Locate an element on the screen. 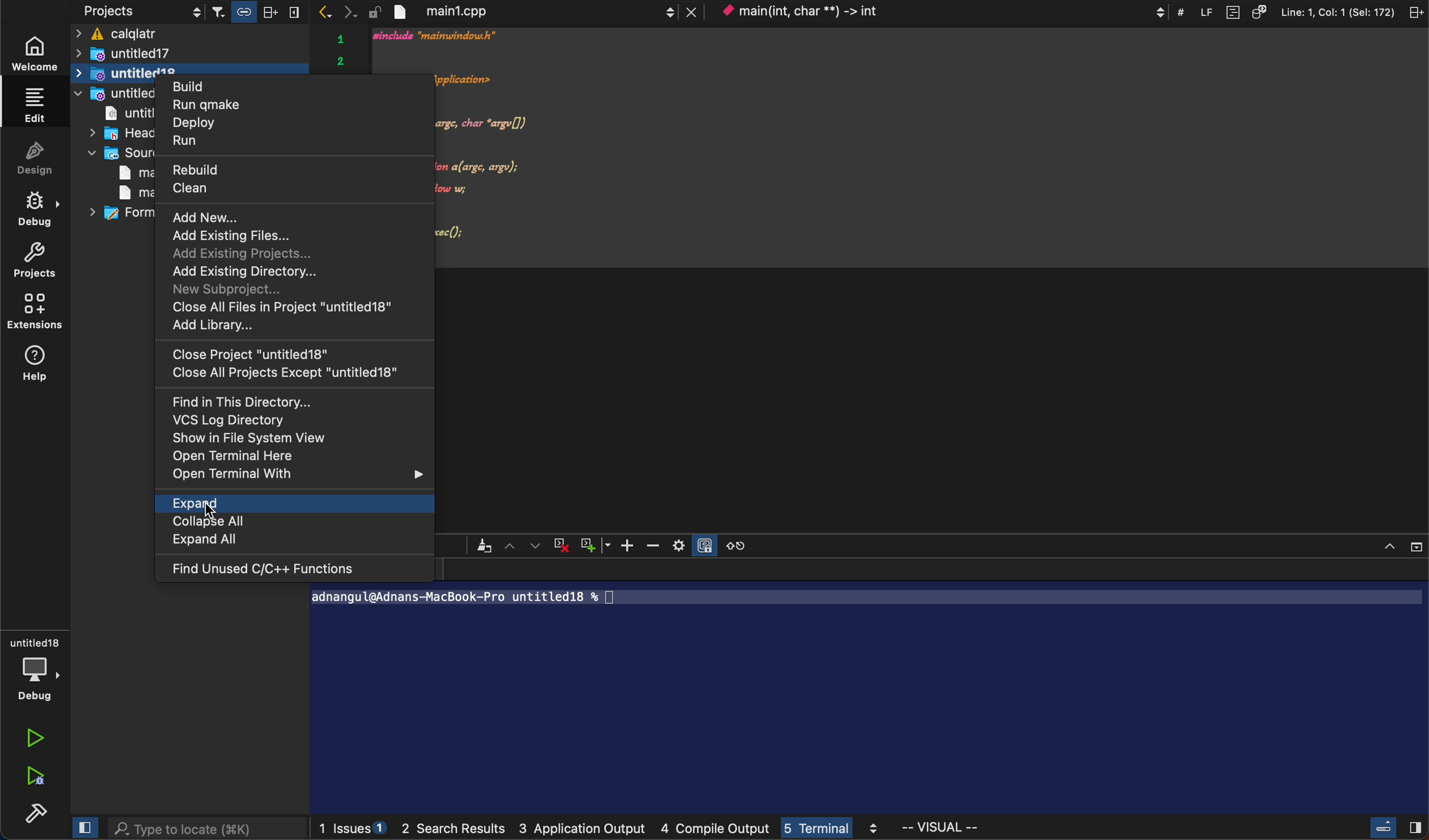  split is located at coordinates (1415, 12).